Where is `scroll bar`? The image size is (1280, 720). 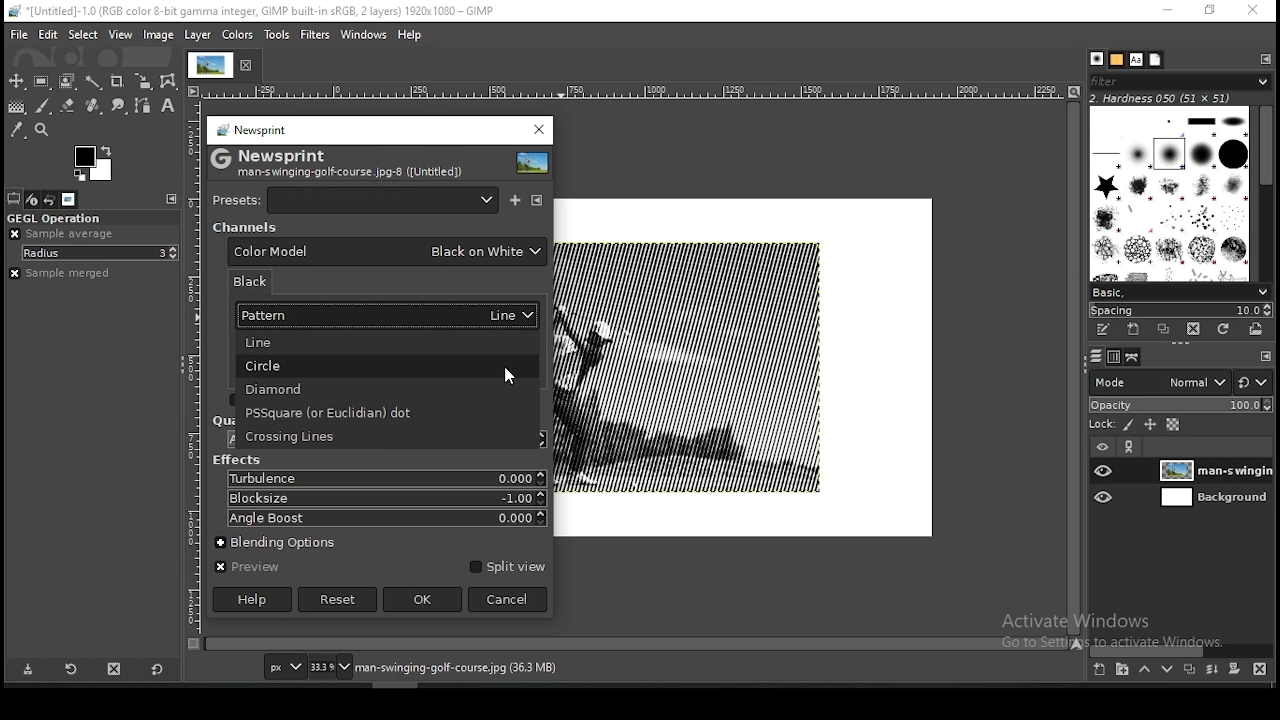
scroll bar is located at coordinates (1182, 649).